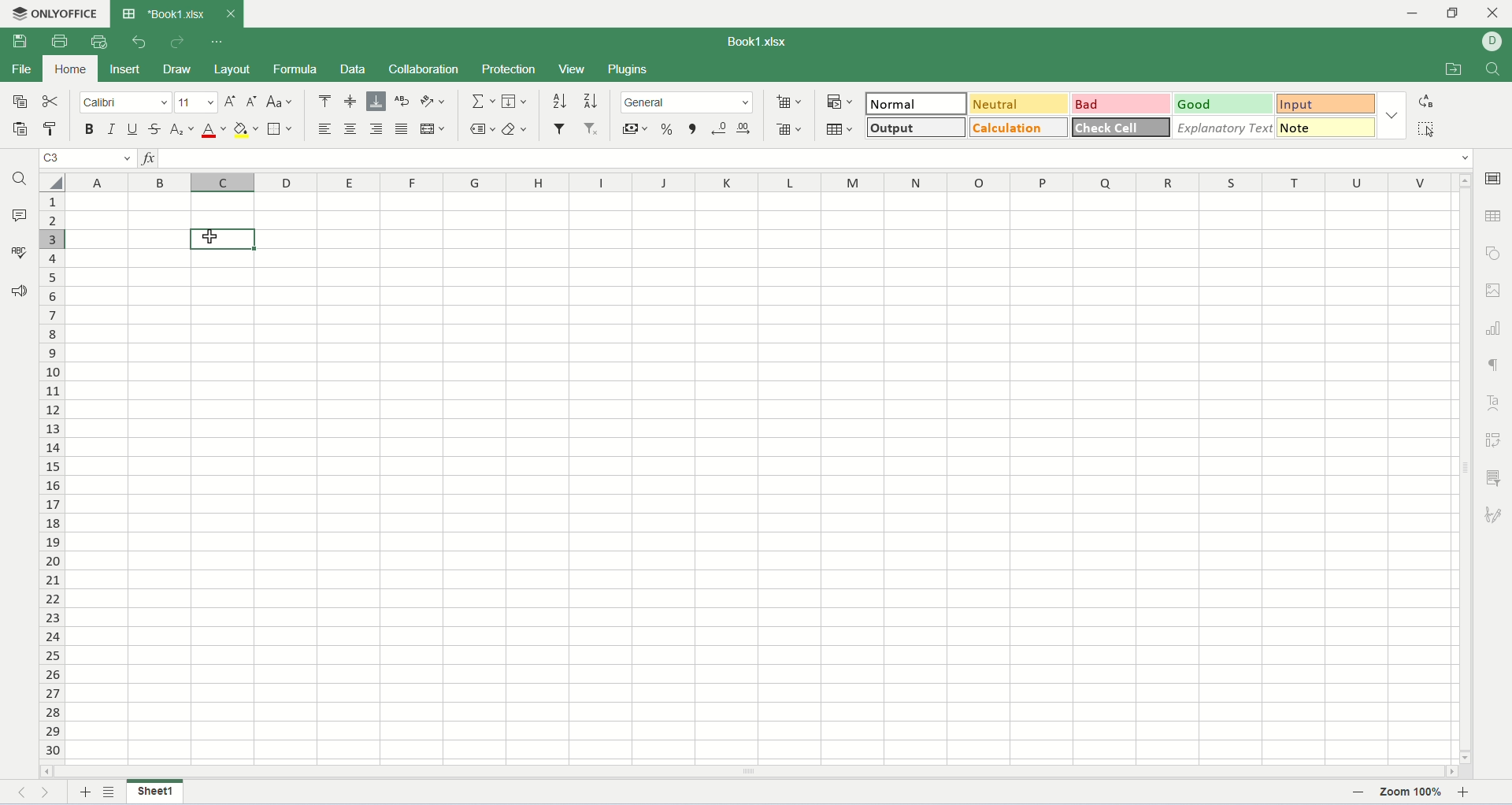  What do you see at coordinates (24, 42) in the screenshot?
I see `save` at bounding box center [24, 42].